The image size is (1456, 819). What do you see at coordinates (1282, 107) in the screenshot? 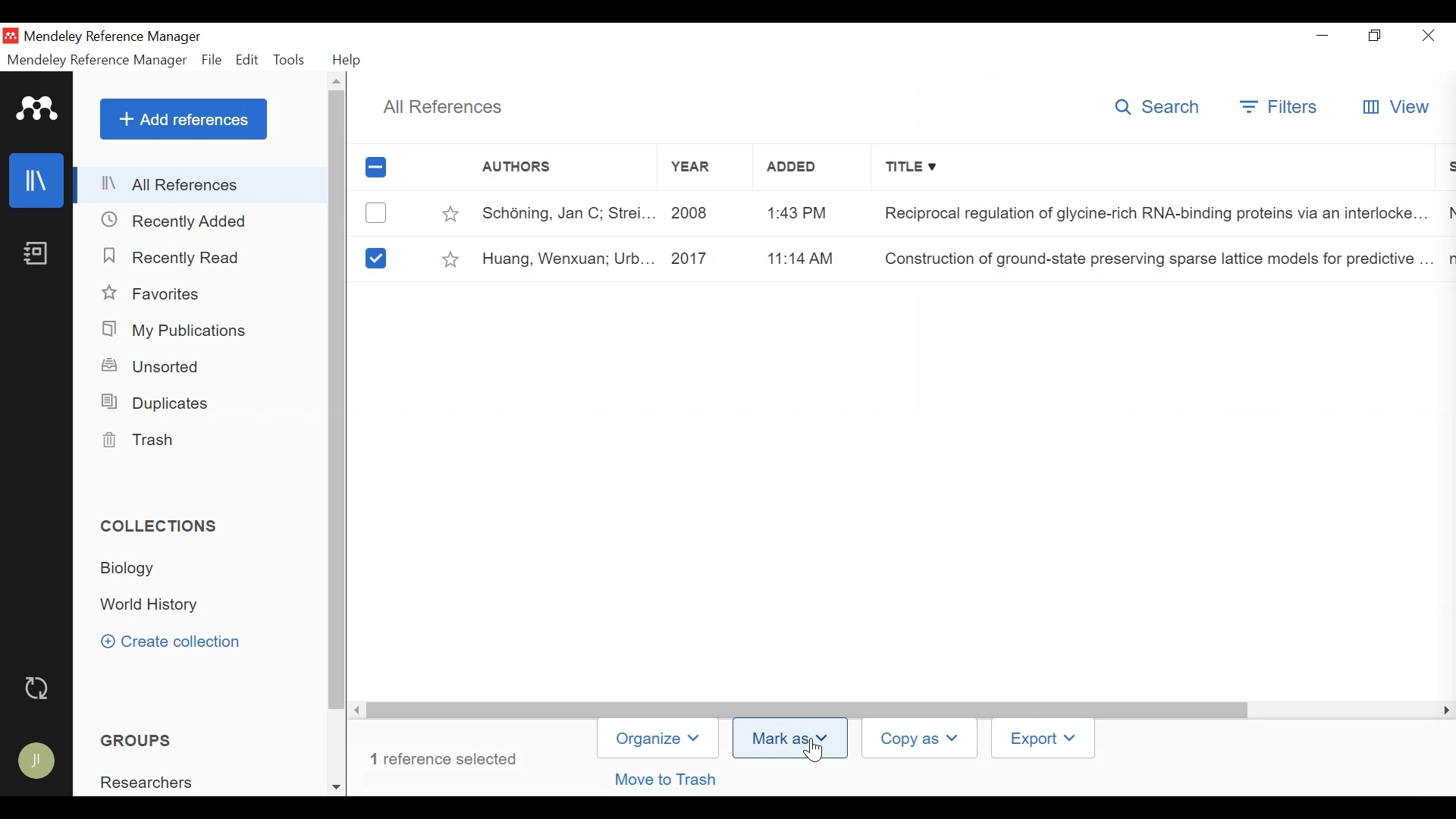
I see `Filter` at bounding box center [1282, 107].